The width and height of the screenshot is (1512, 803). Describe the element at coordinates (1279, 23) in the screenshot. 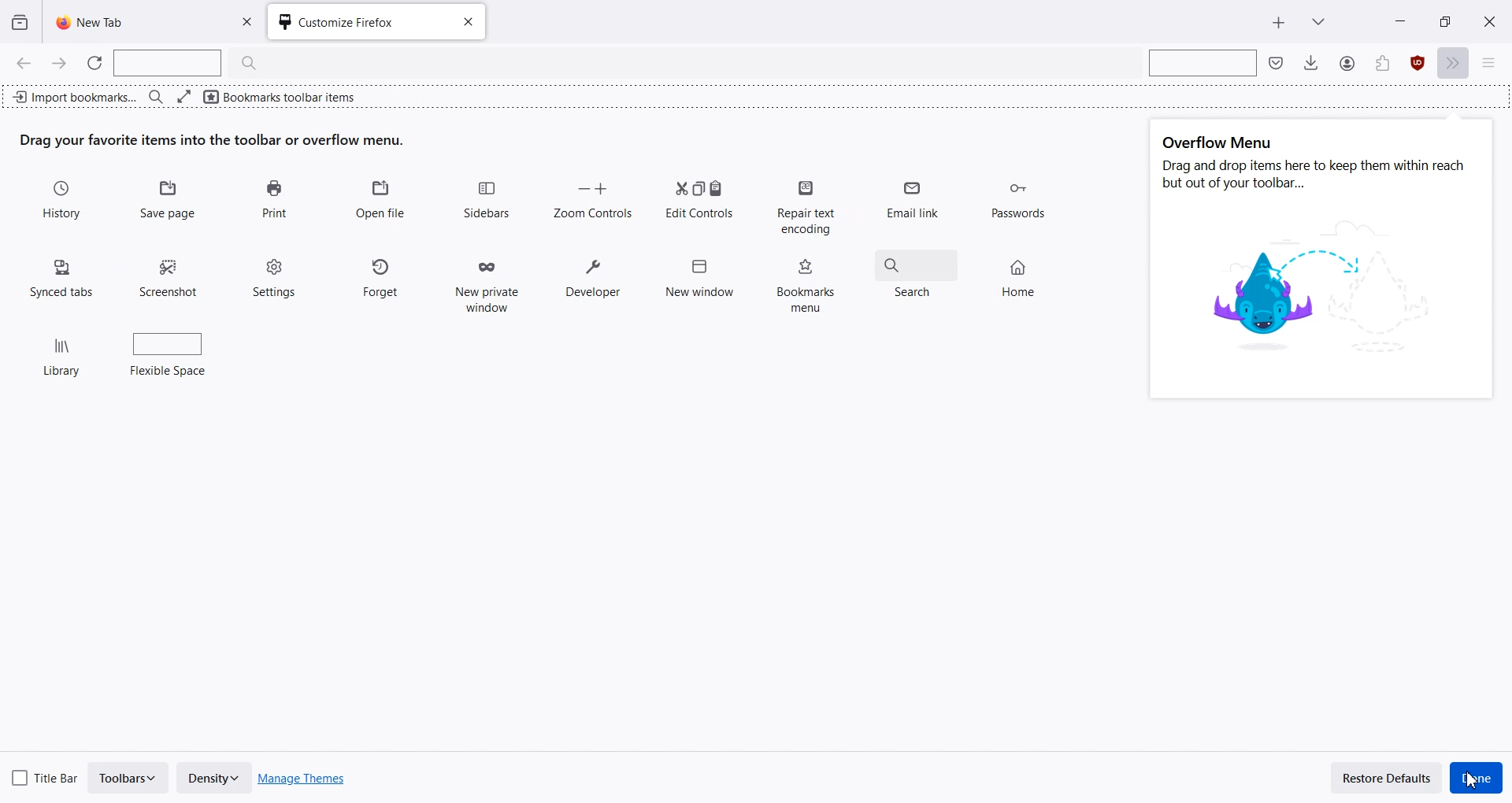

I see `New Tab` at that location.